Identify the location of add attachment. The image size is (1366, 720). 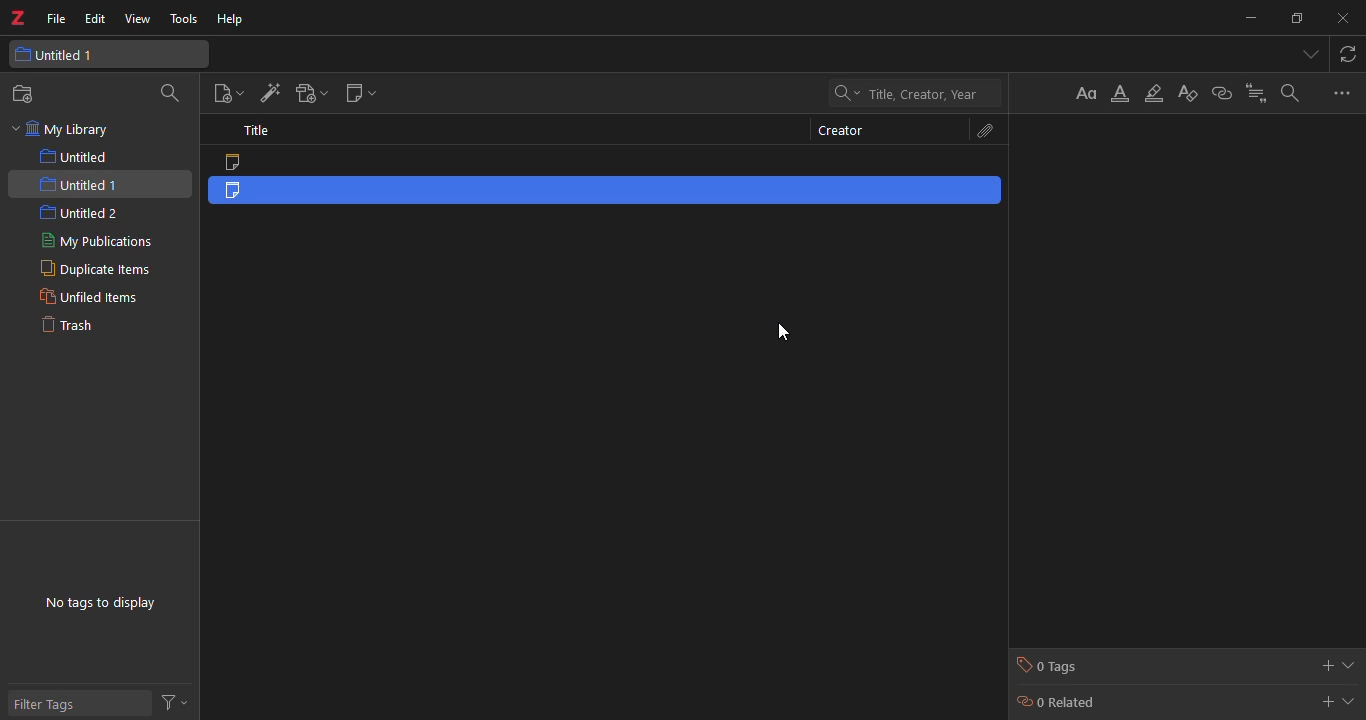
(306, 92).